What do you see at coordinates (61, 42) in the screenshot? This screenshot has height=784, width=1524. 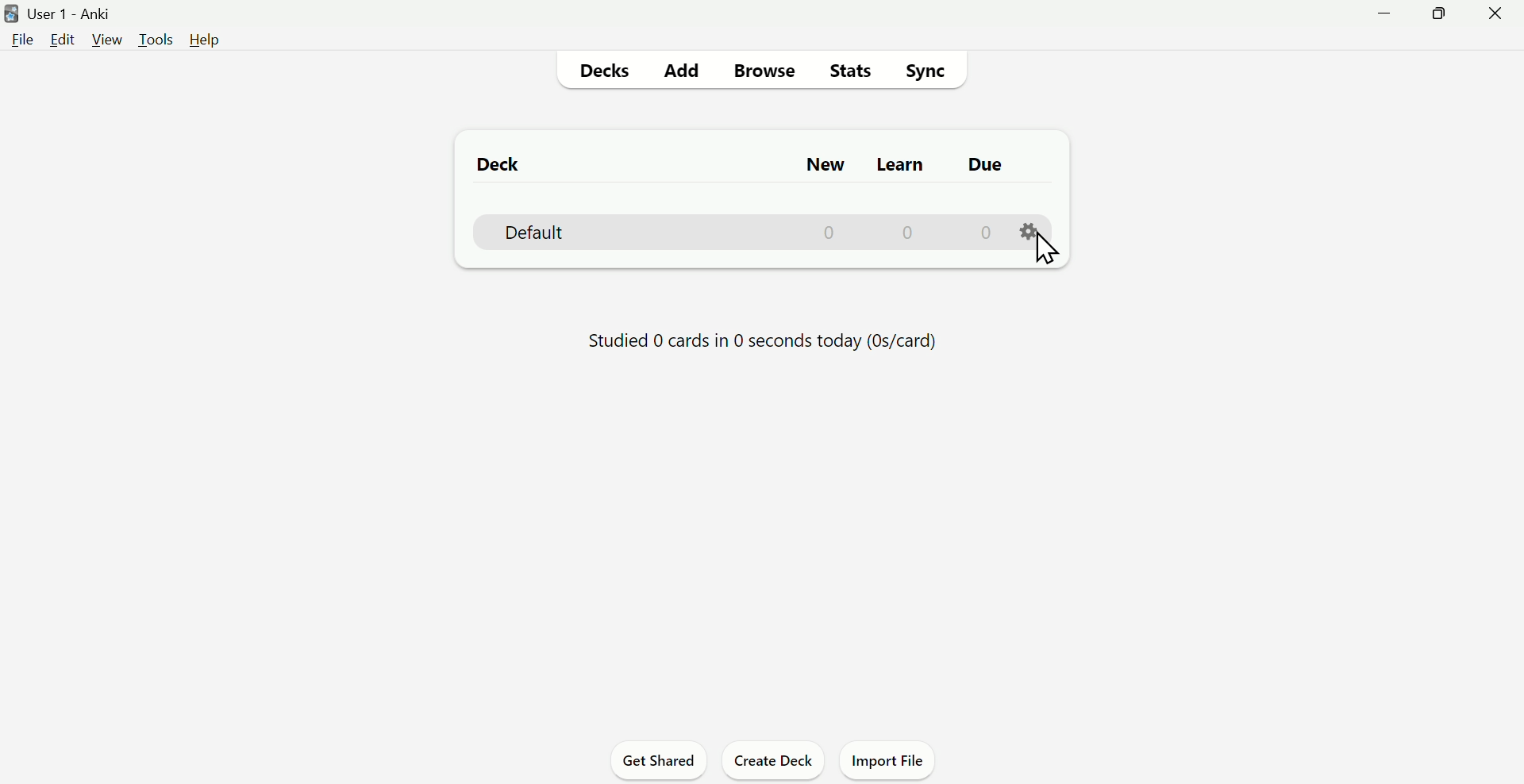 I see `Edit` at bounding box center [61, 42].